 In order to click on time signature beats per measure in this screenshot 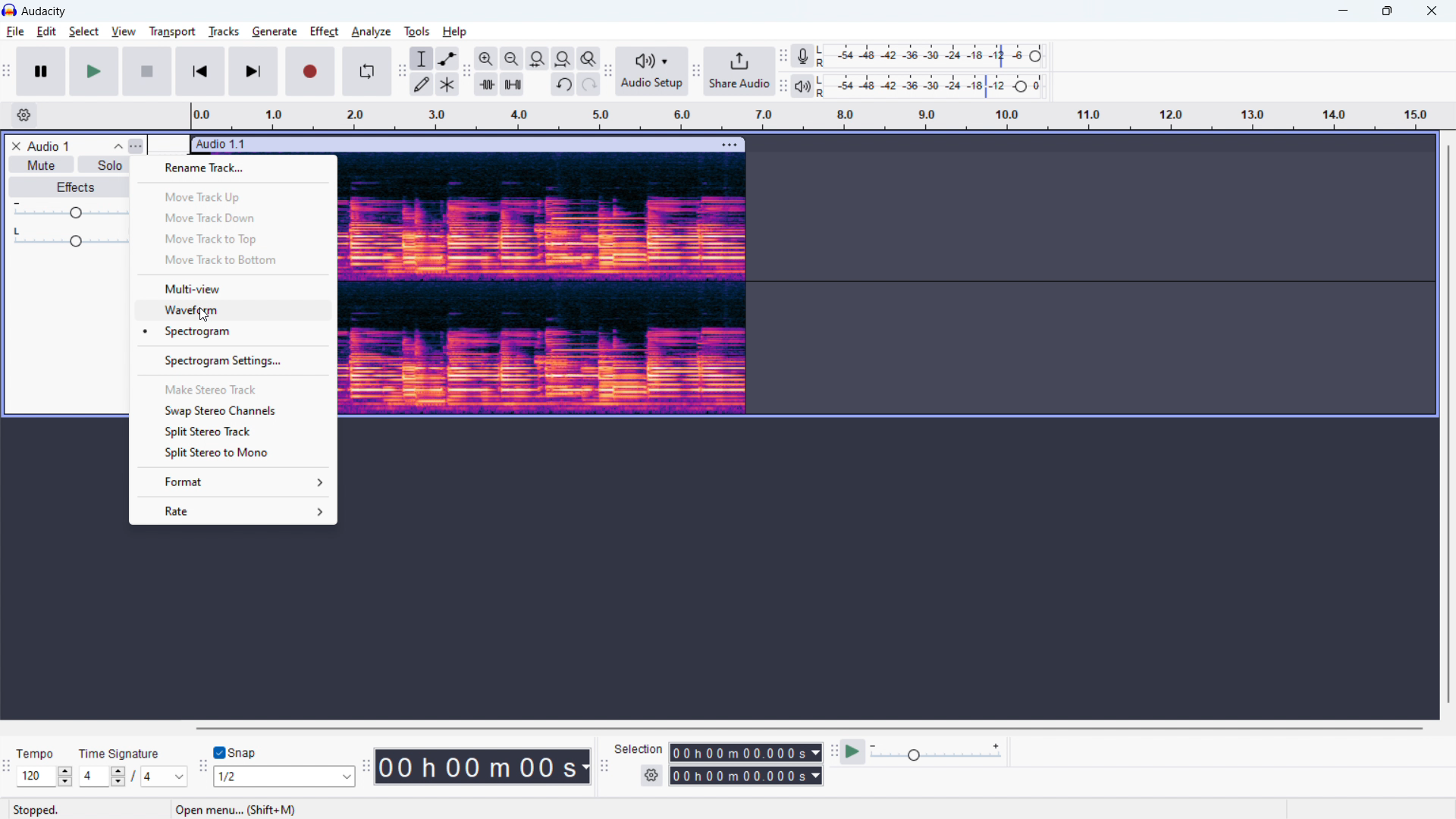, I will do `click(94, 777)`.